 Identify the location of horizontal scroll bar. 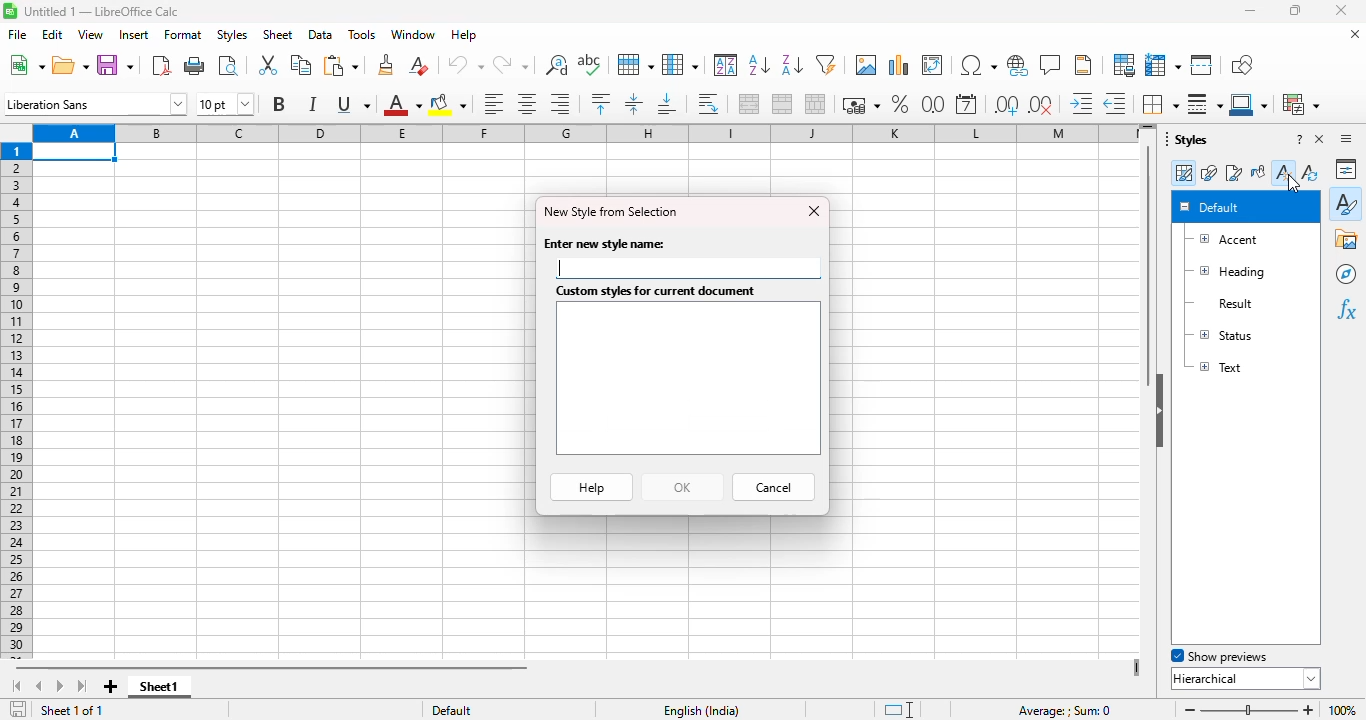
(322, 668).